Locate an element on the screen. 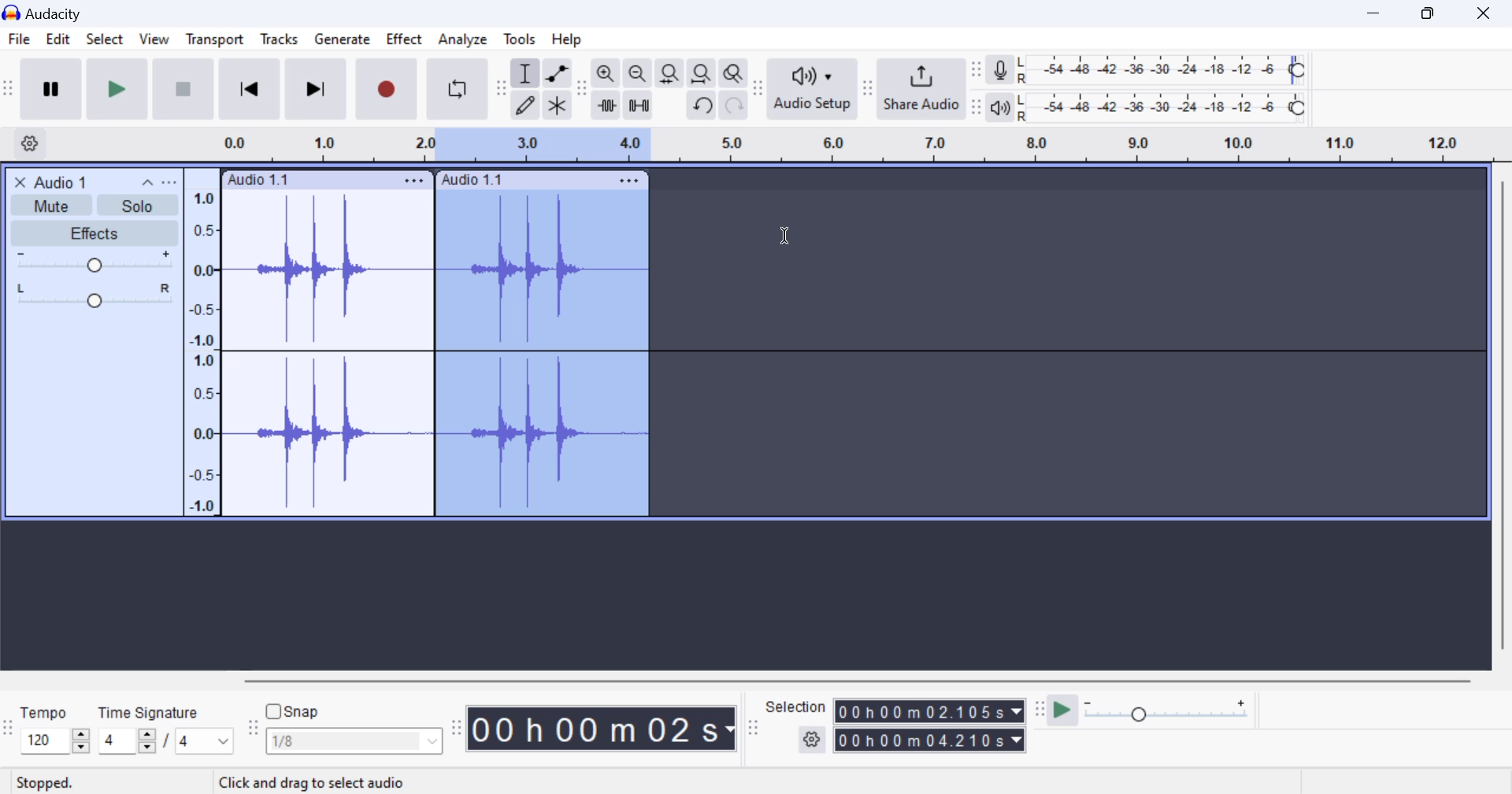 The height and width of the screenshot is (794, 1512). Playback Speed is located at coordinates (1176, 712).